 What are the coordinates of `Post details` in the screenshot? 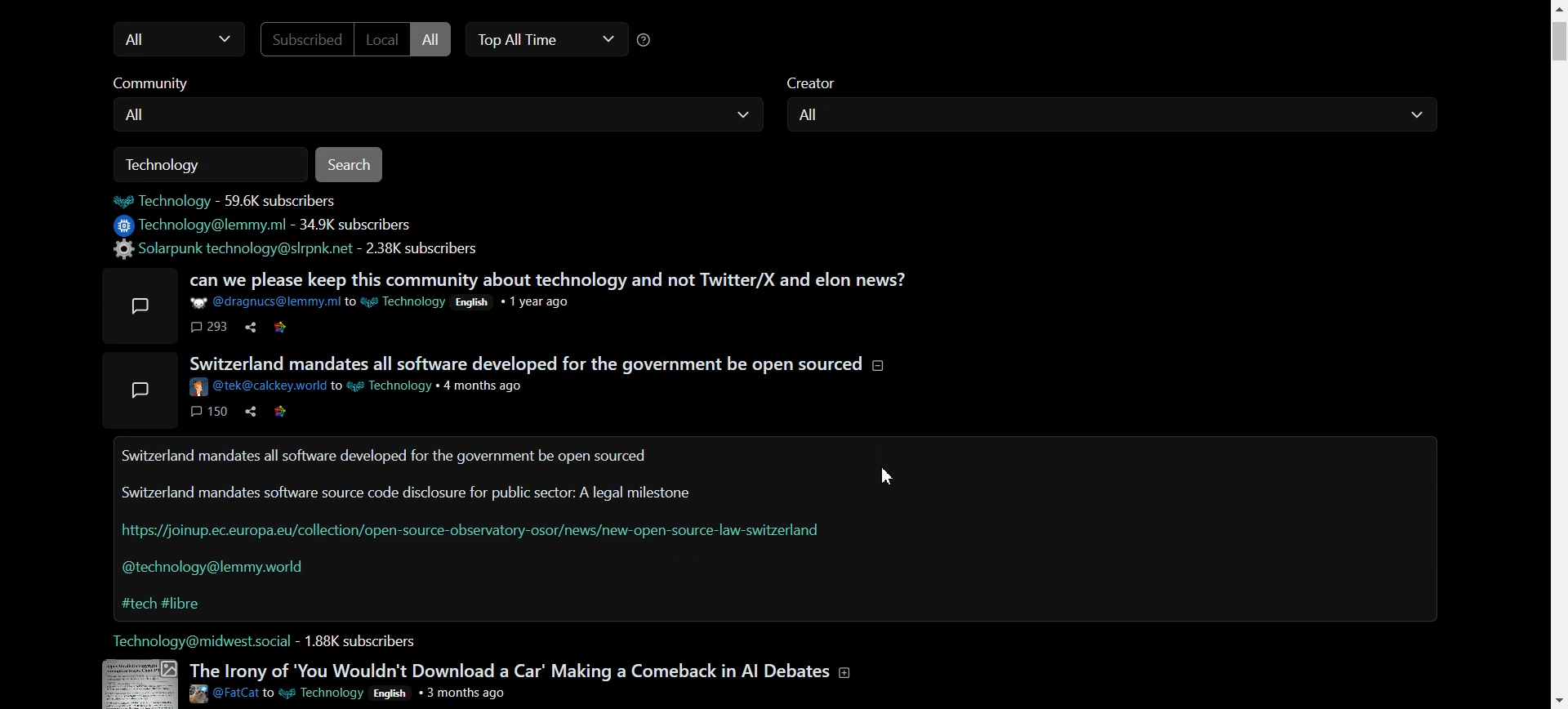 It's located at (358, 387).